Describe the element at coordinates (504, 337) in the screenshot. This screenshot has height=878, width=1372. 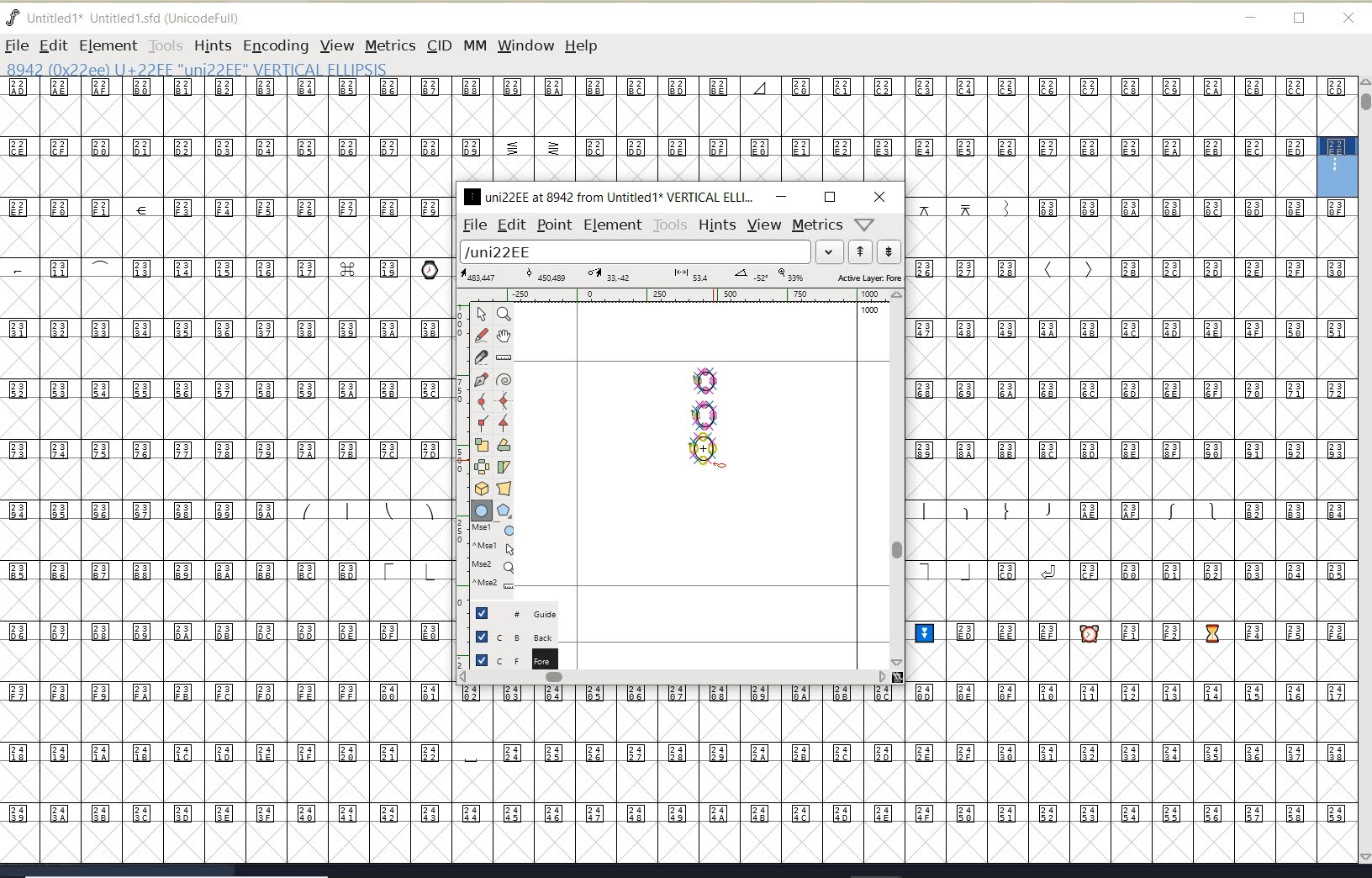
I see `scroll by hand` at that location.